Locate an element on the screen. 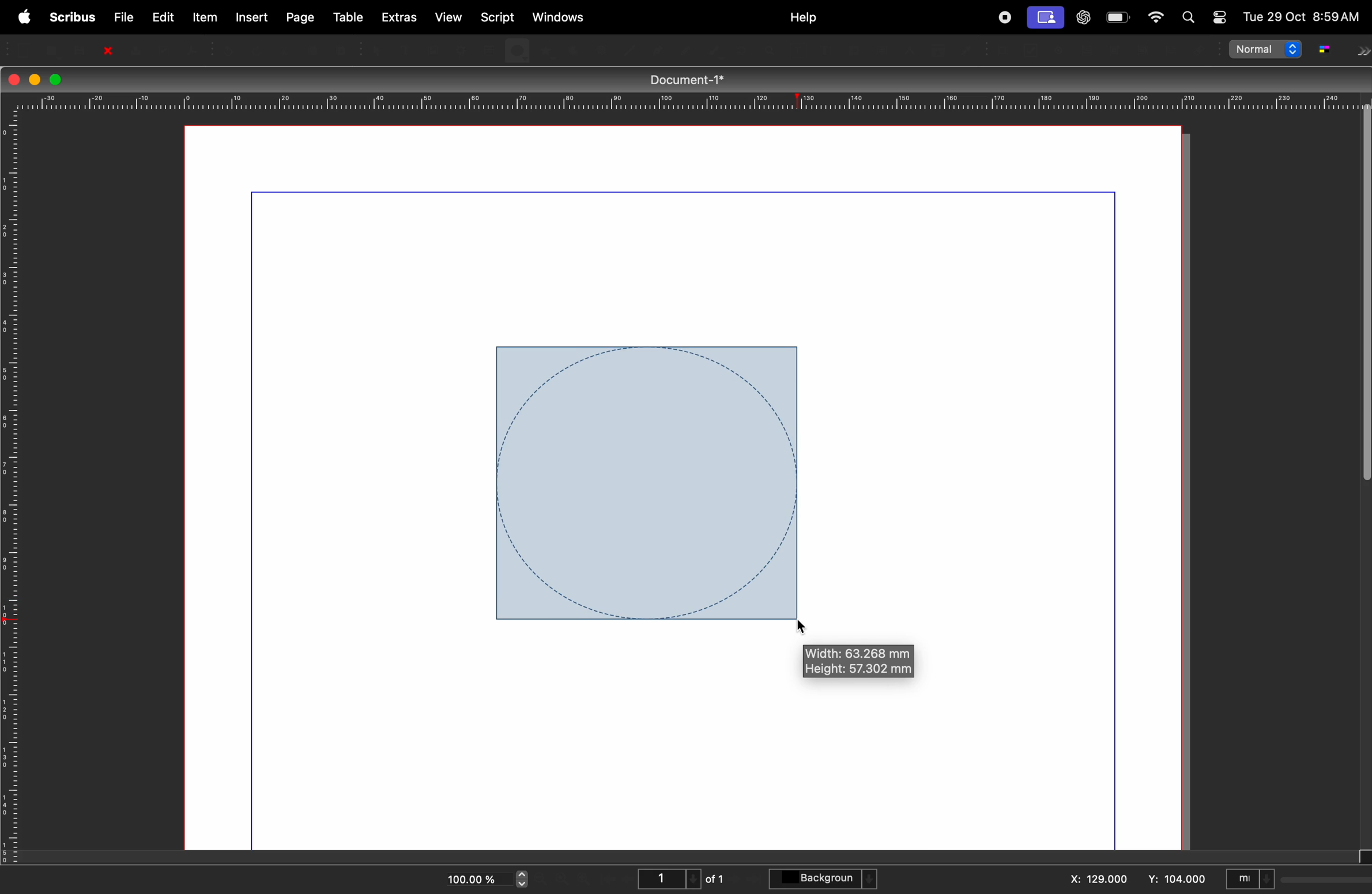  eyedropper is located at coordinates (968, 50).